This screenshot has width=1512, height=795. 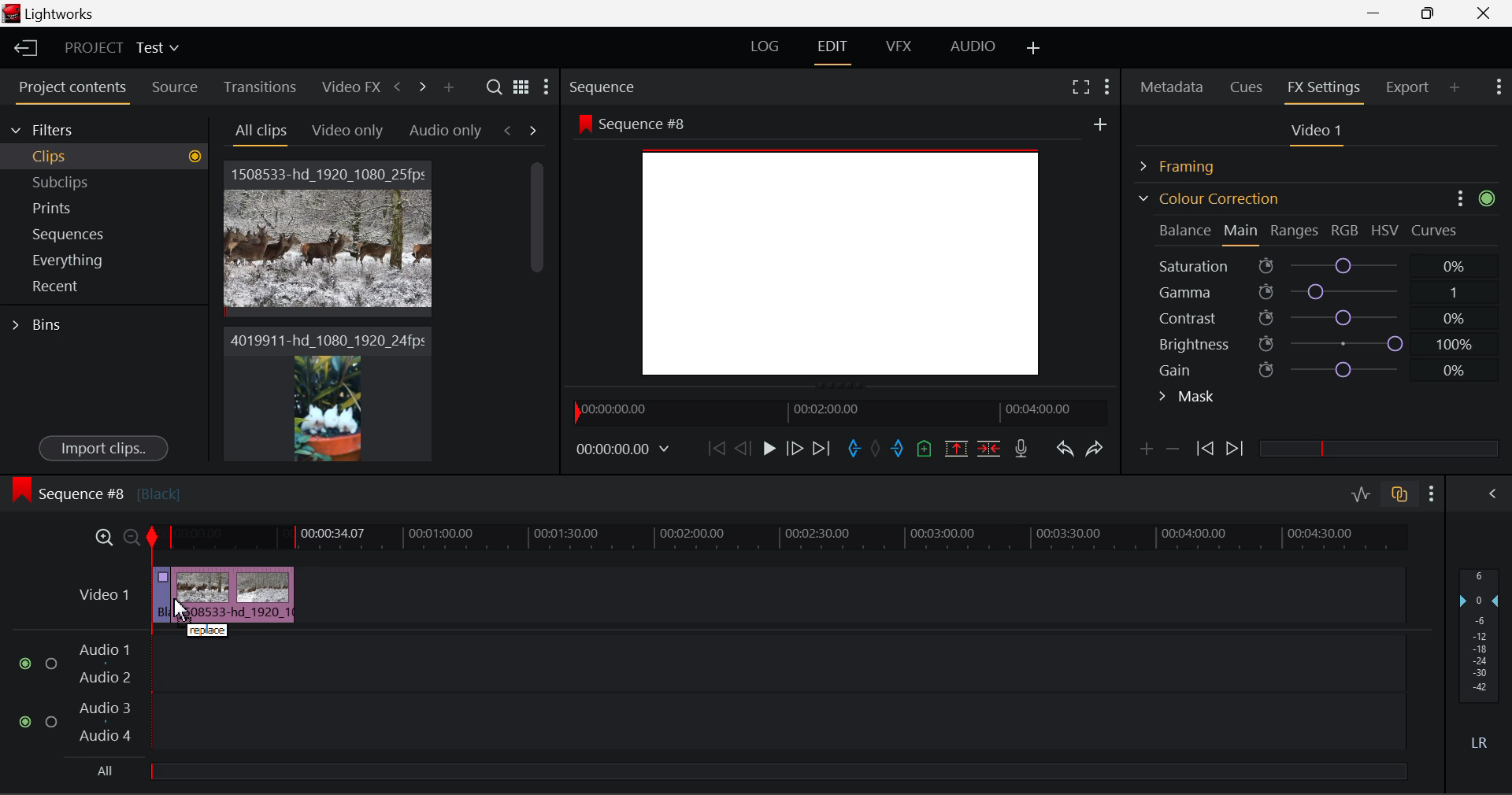 What do you see at coordinates (101, 594) in the screenshot?
I see `Video 1` at bounding box center [101, 594].